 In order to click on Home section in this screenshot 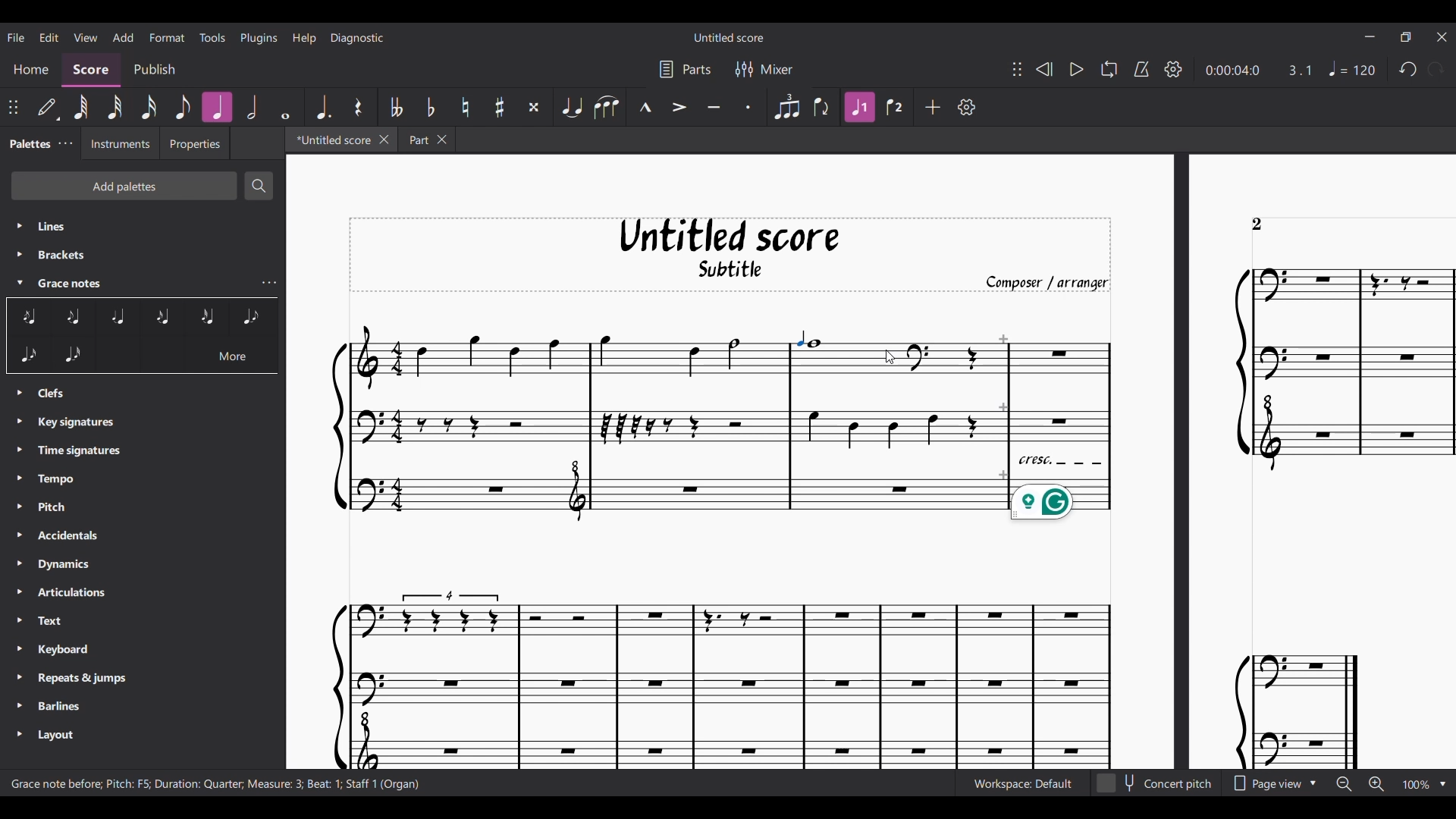, I will do `click(31, 71)`.